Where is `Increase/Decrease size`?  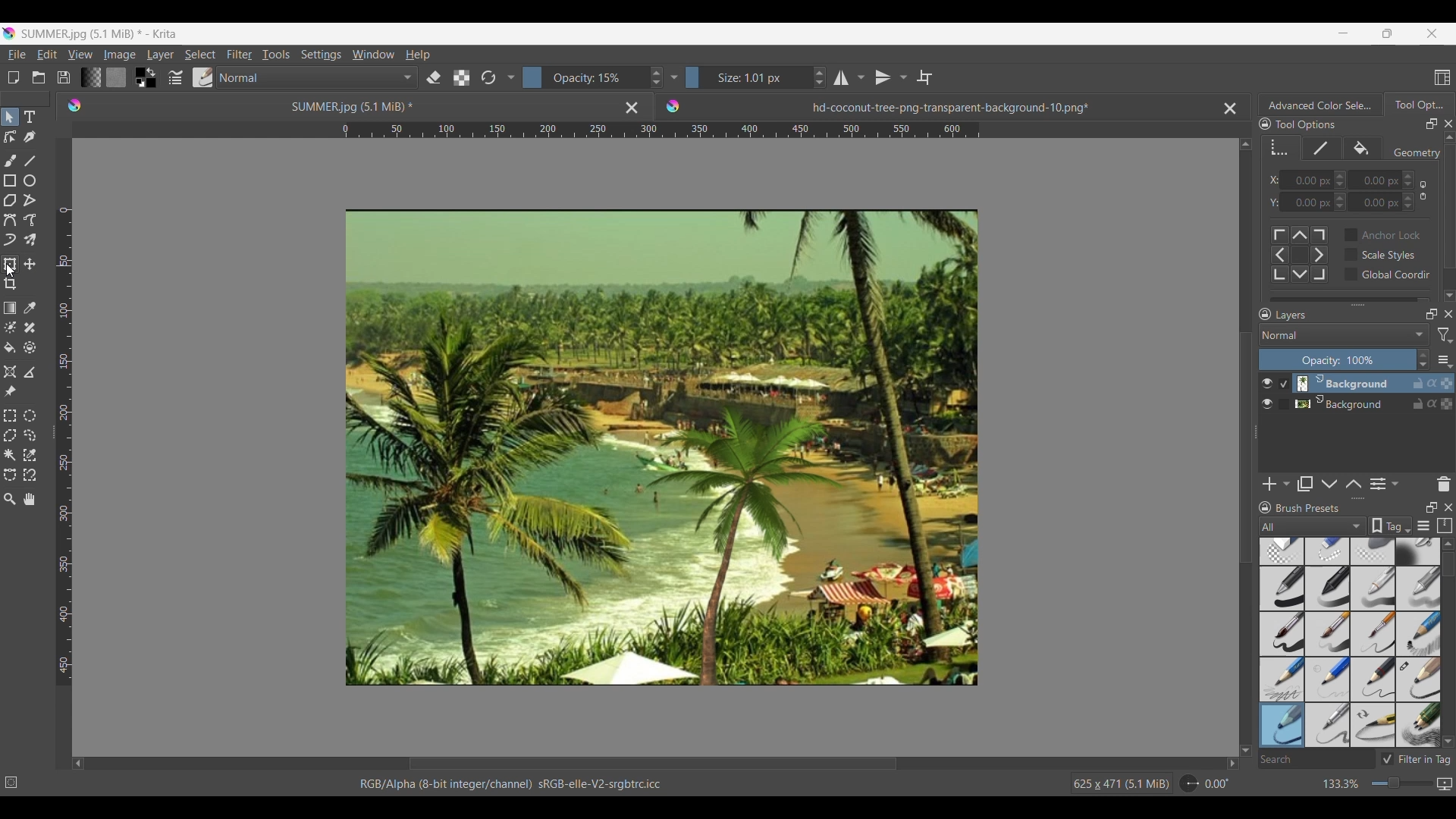 Increase/Decrease size is located at coordinates (756, 77).